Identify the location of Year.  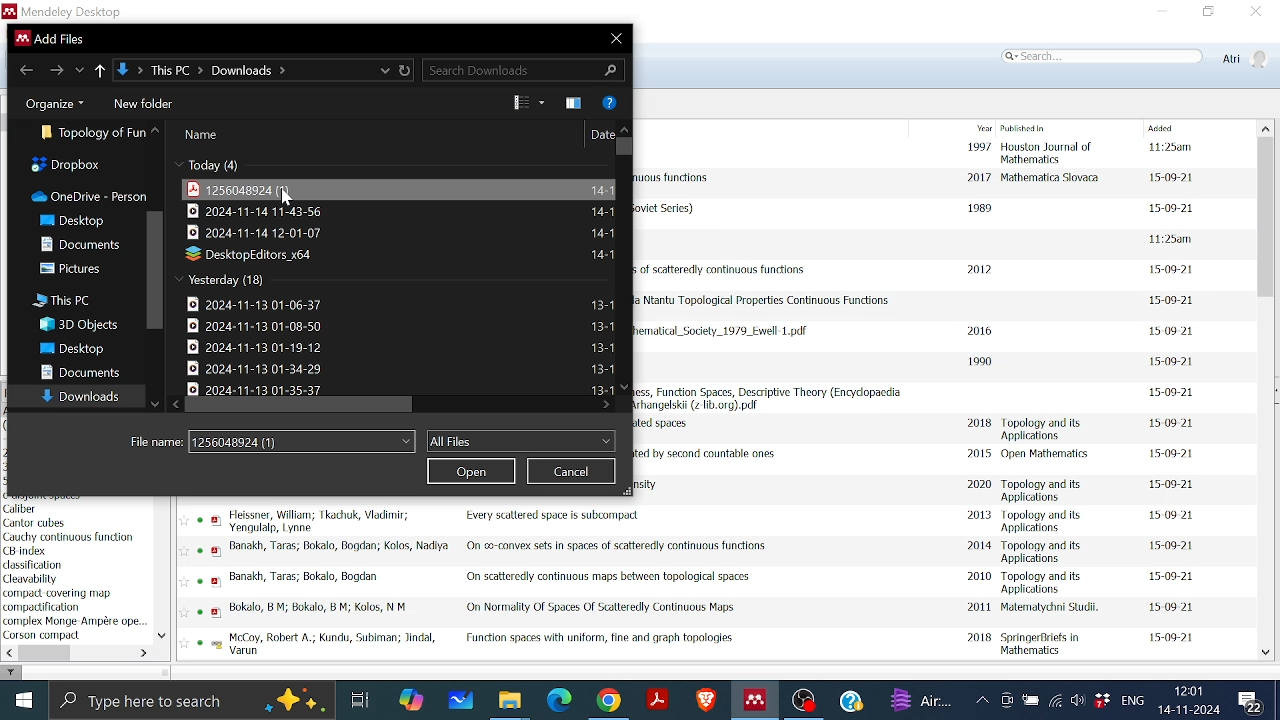
(976, 128).